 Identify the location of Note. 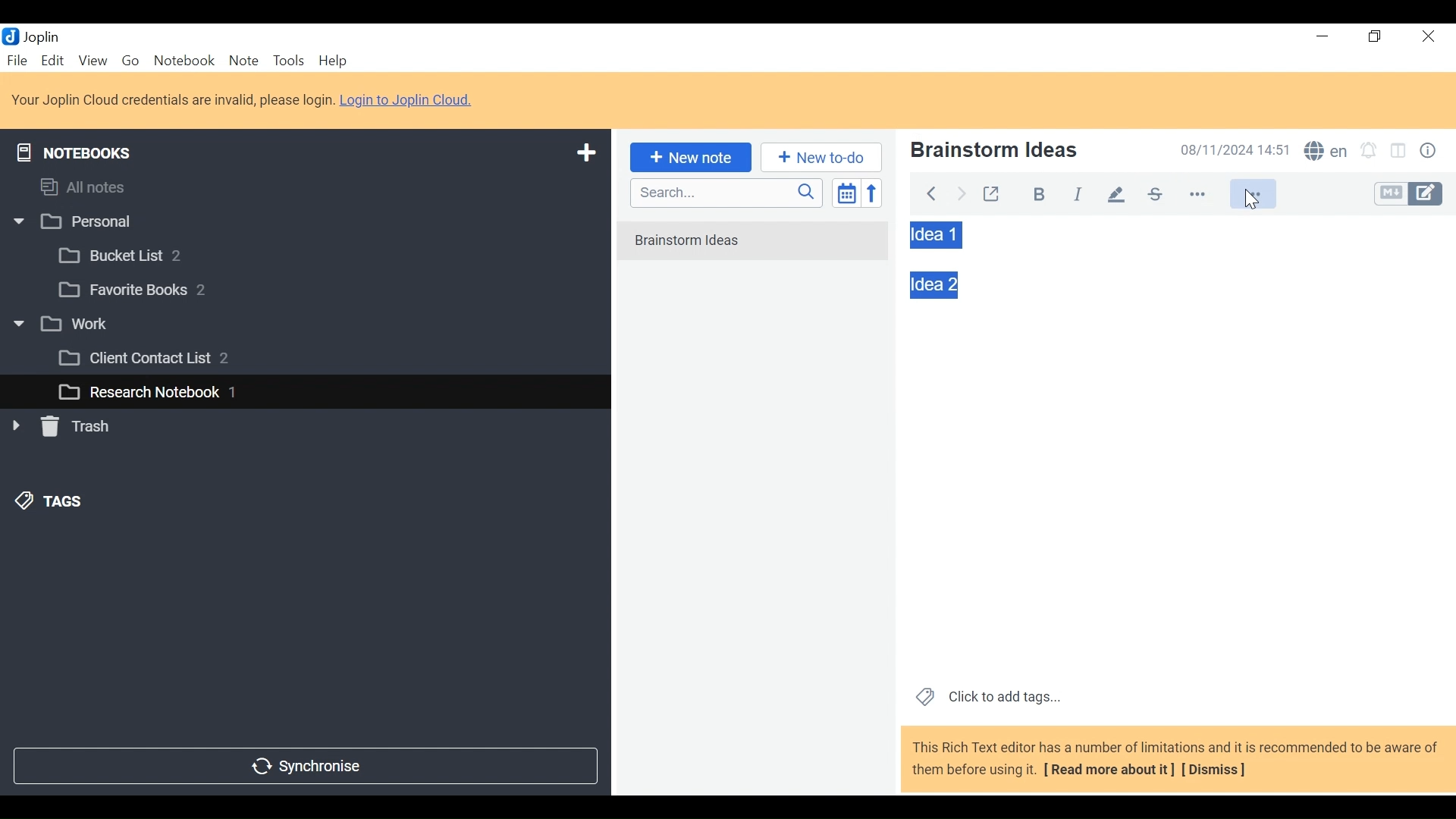
(243, 60).